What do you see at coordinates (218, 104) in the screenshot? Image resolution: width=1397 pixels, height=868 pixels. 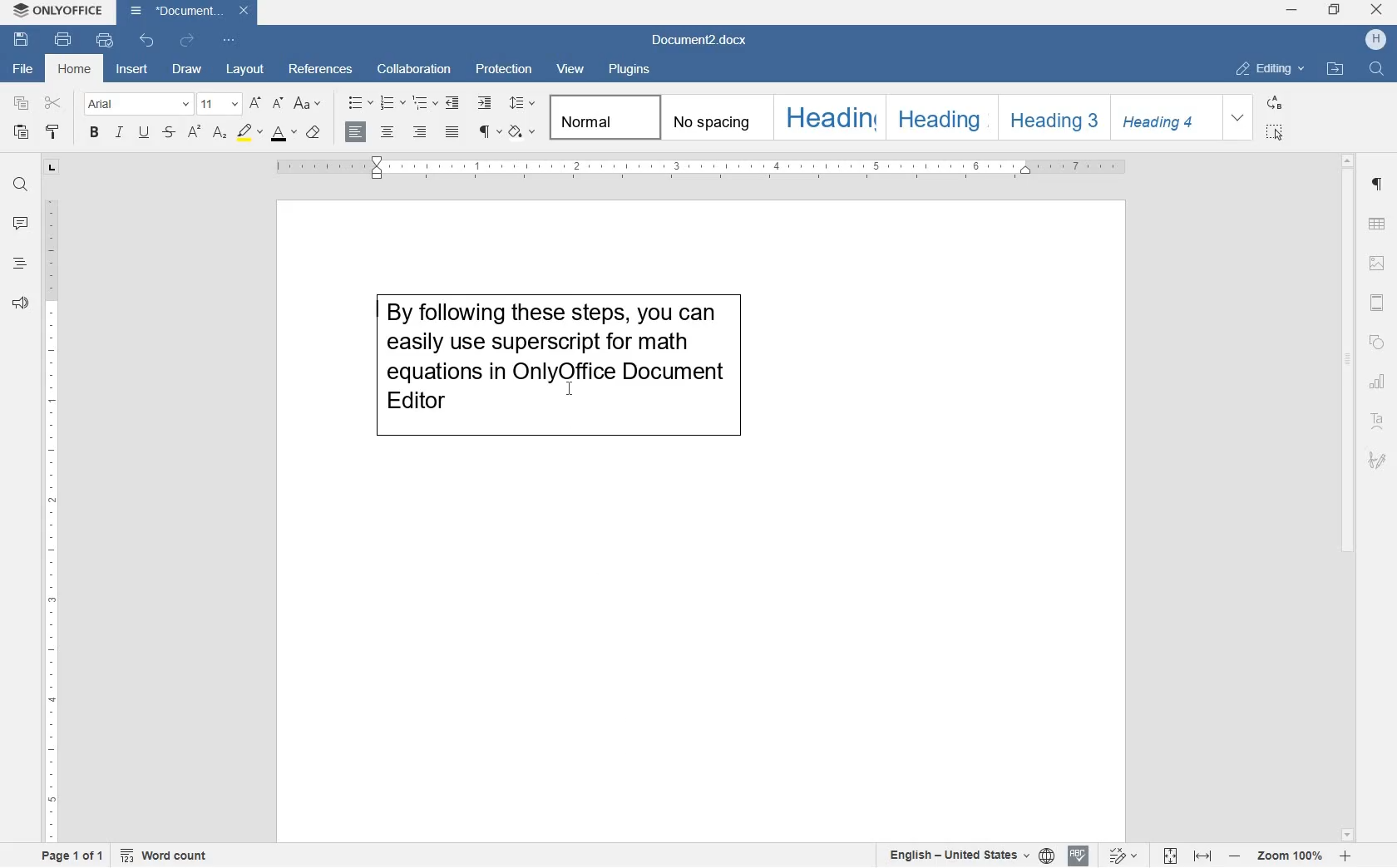 I see `font size` at bounding box center [218, 104].